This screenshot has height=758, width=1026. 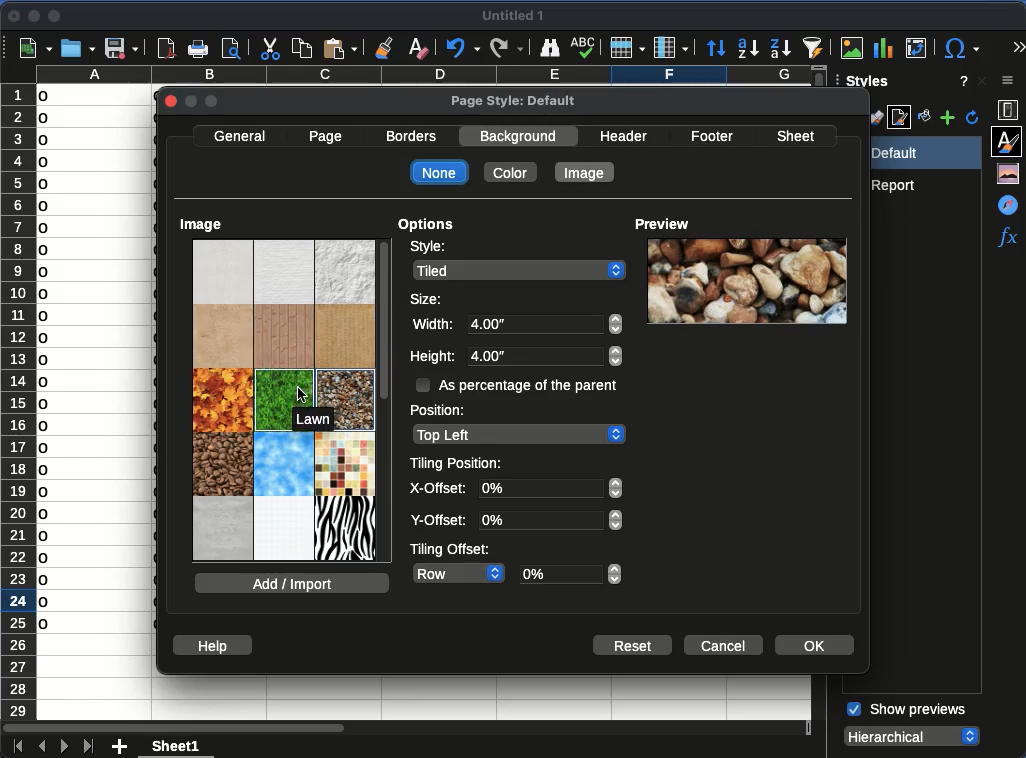 What do you see at coordinates (633, 645) in the screenshot?
I see `reset` at bounding box center [633, 645].